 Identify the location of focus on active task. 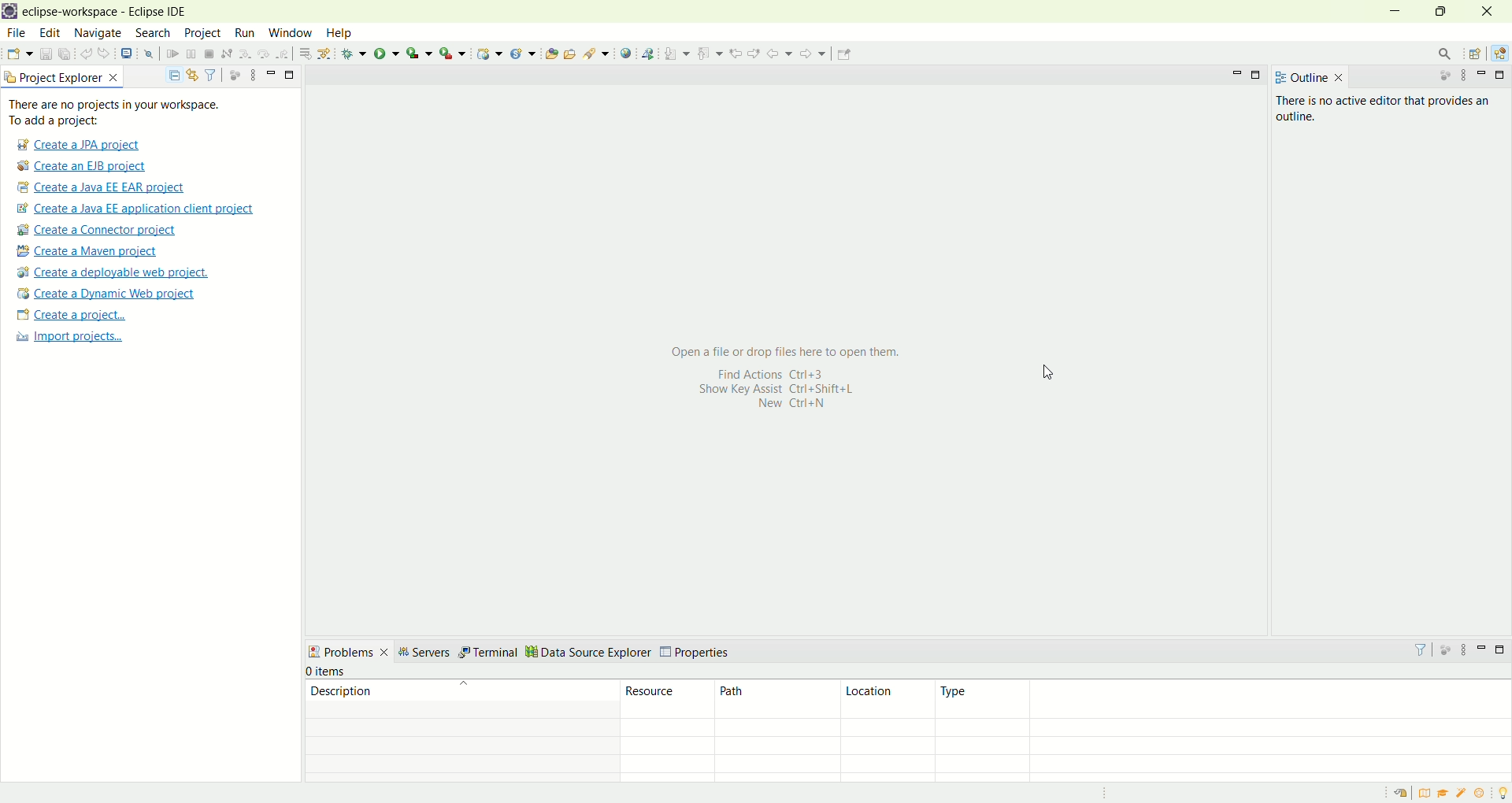
(1443, 74).